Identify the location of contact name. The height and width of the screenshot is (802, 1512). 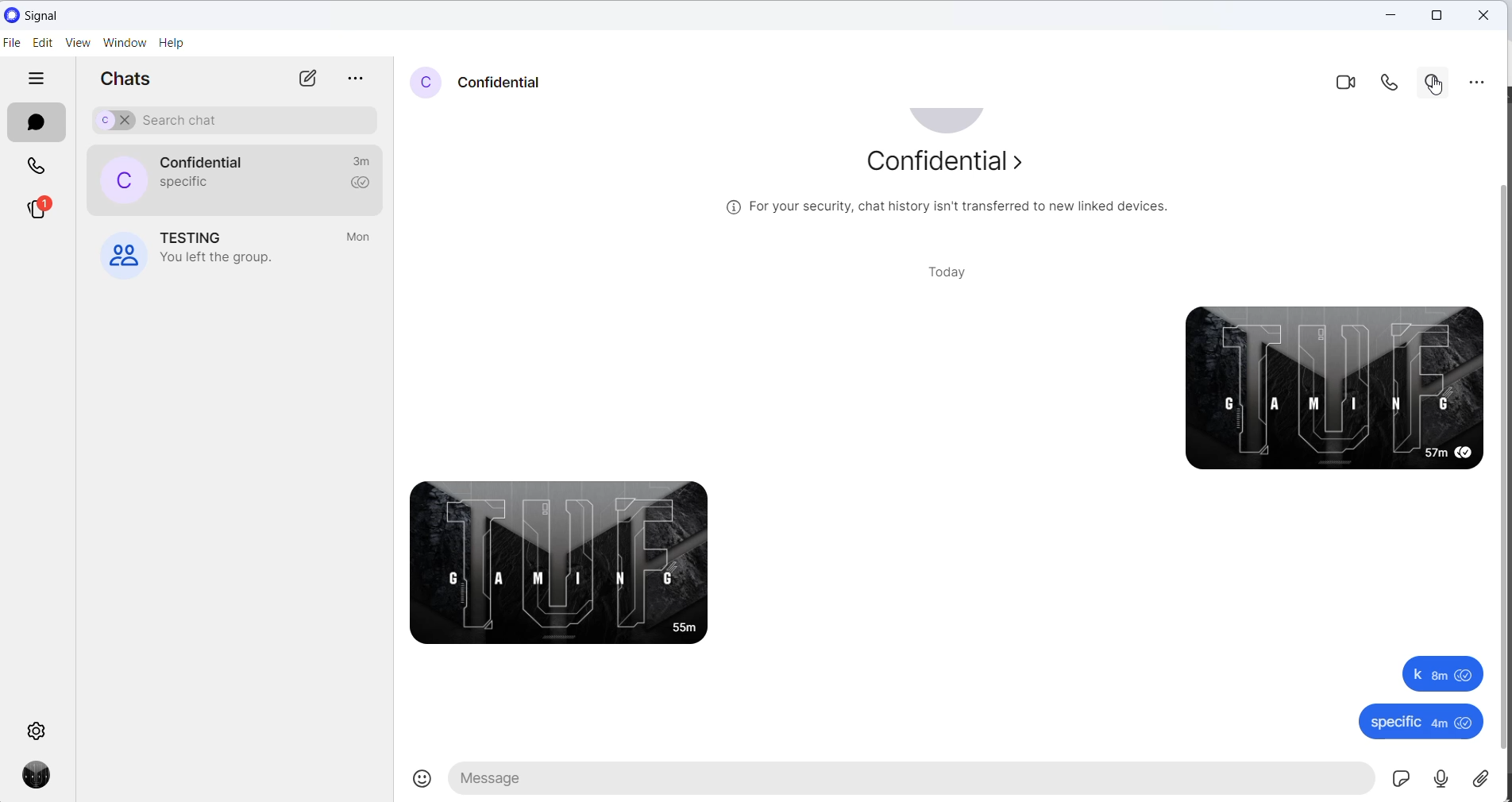
(501, 83).